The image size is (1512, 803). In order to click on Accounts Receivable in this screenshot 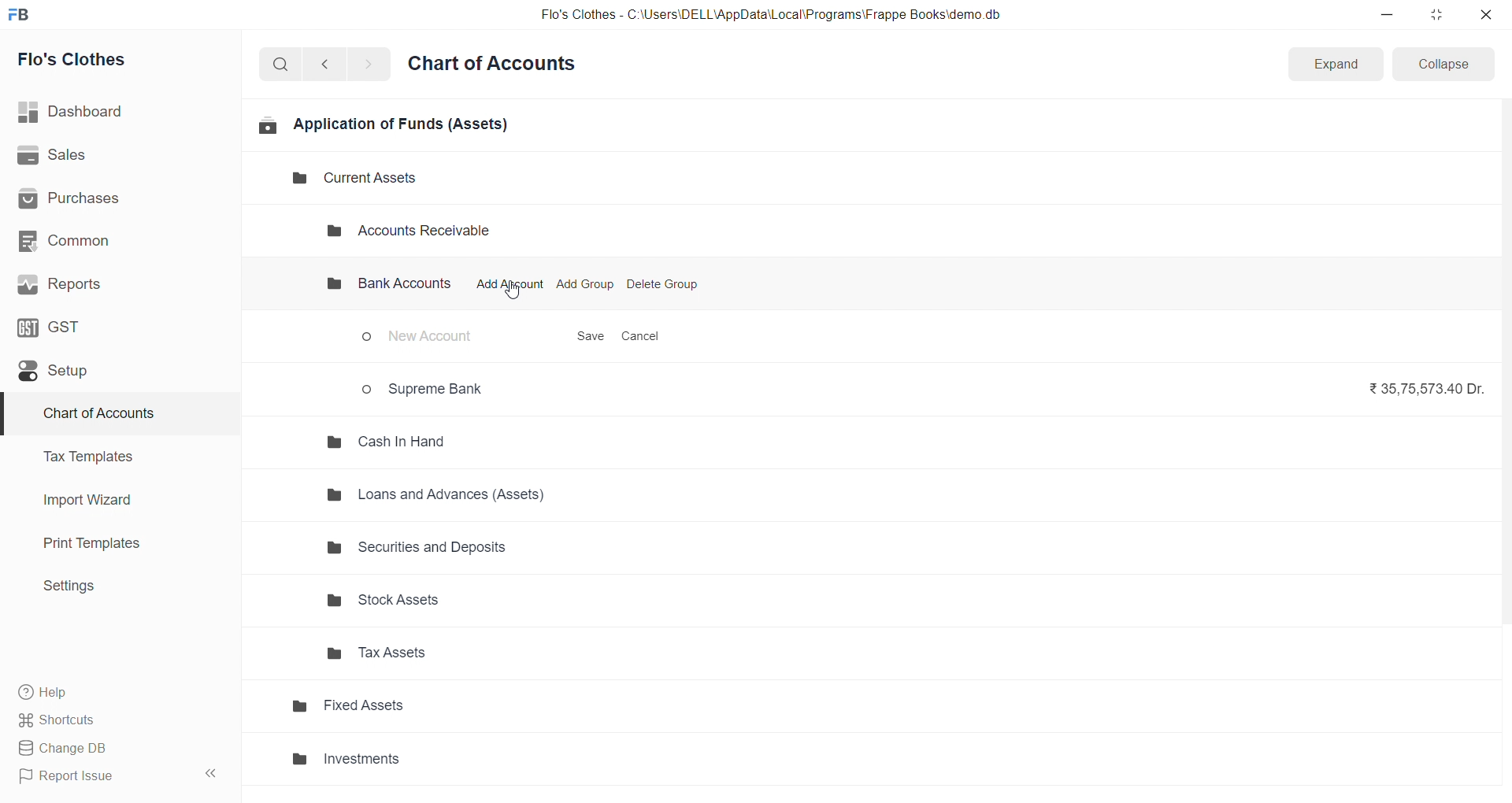, I will do `click(422, 231)`.